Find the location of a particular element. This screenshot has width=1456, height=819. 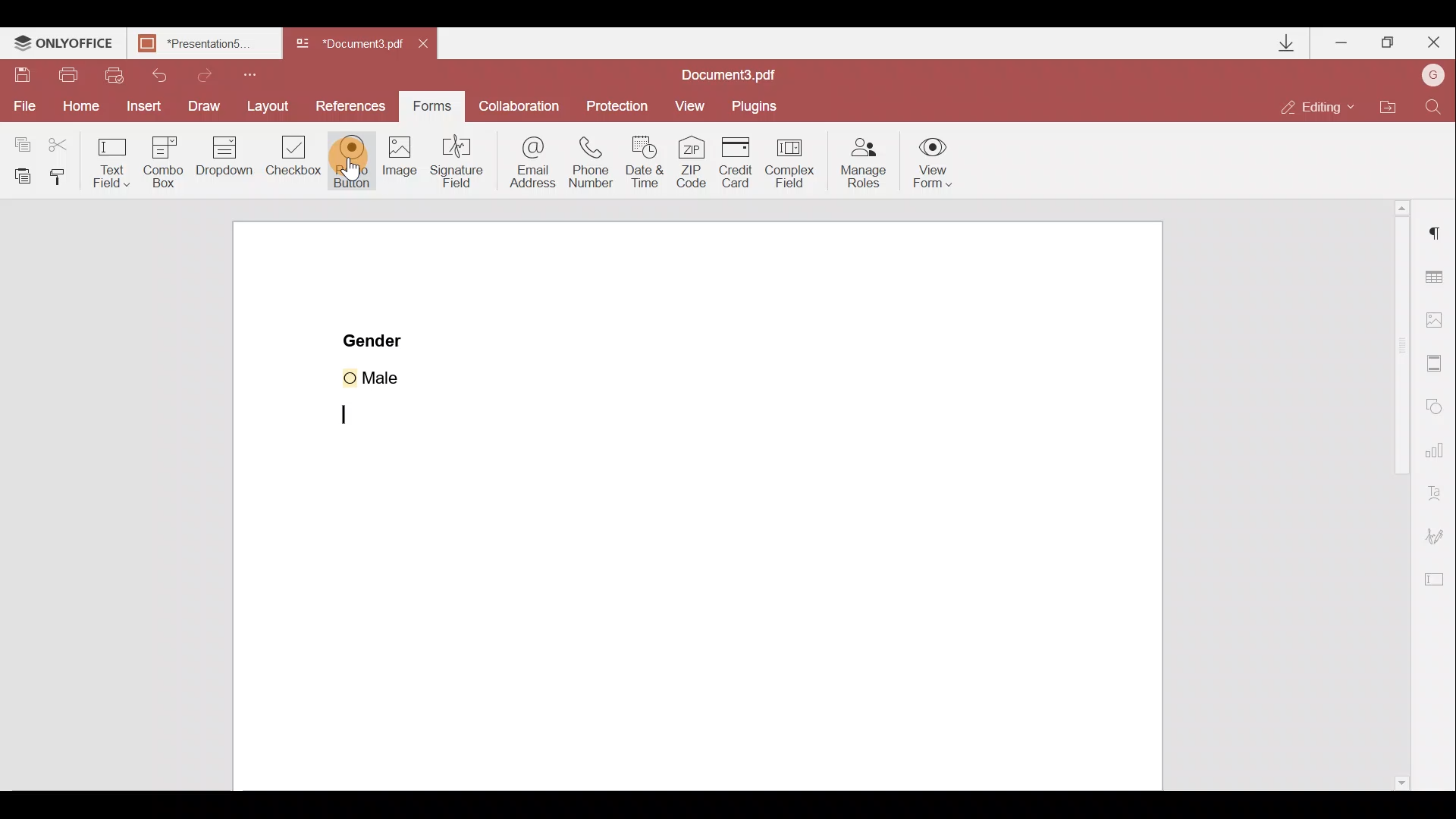

Redo is located at coordinates (218, 75).